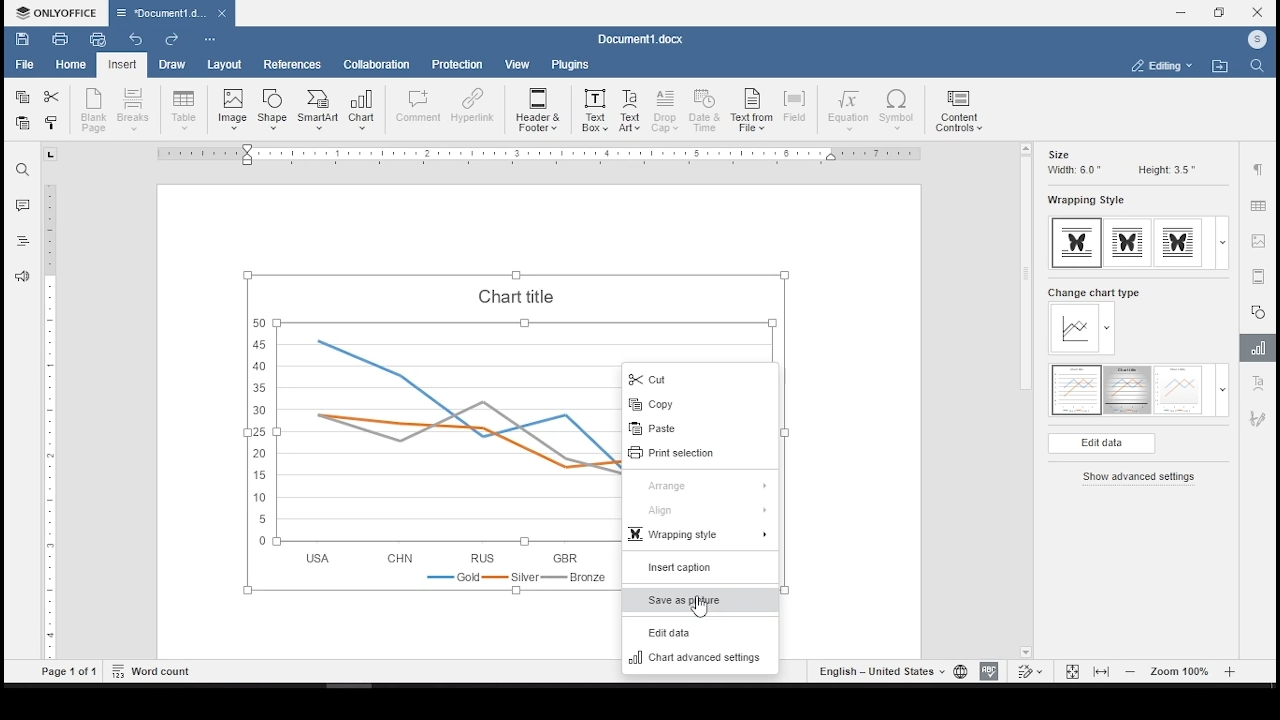 This screenshot has width=1280, height=720. What do you see at coordinates (273, 109) in the screenshot?
I see `insert shape` at bounding box center [273, 109].